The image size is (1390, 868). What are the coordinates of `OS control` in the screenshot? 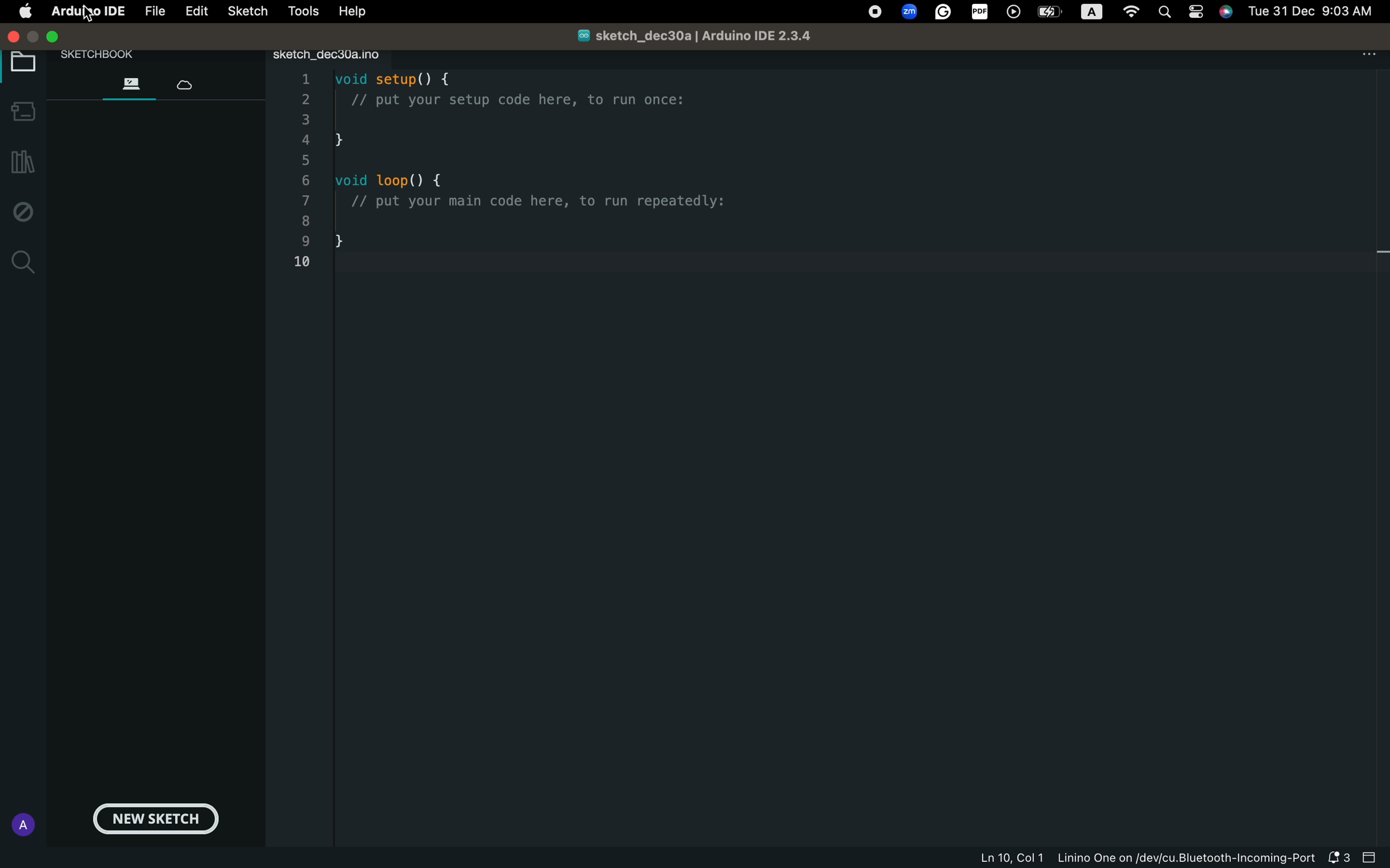 It's located at (875, 13).